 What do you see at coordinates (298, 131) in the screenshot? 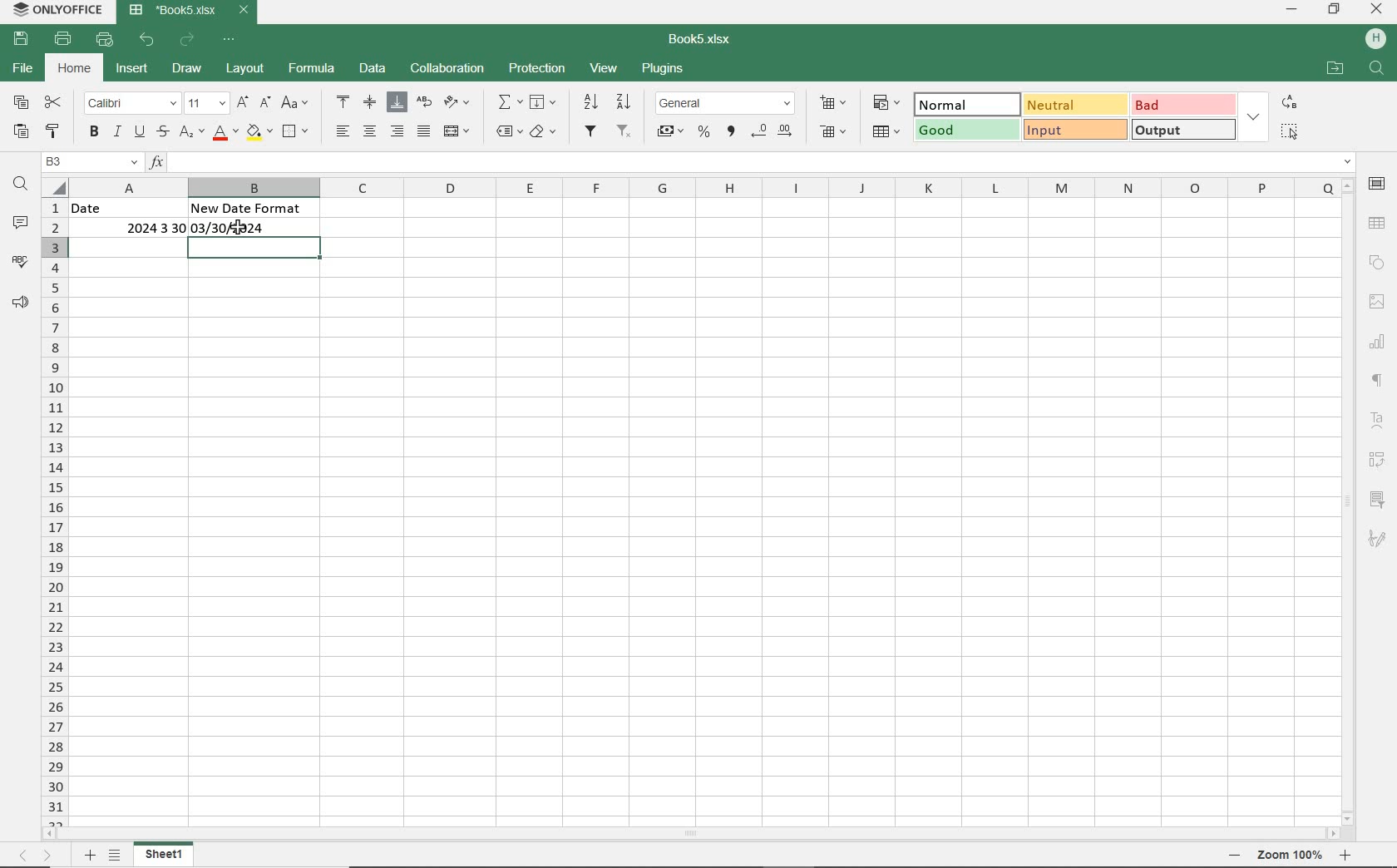
I see `BORDERS` at bounding box center [298, 131].